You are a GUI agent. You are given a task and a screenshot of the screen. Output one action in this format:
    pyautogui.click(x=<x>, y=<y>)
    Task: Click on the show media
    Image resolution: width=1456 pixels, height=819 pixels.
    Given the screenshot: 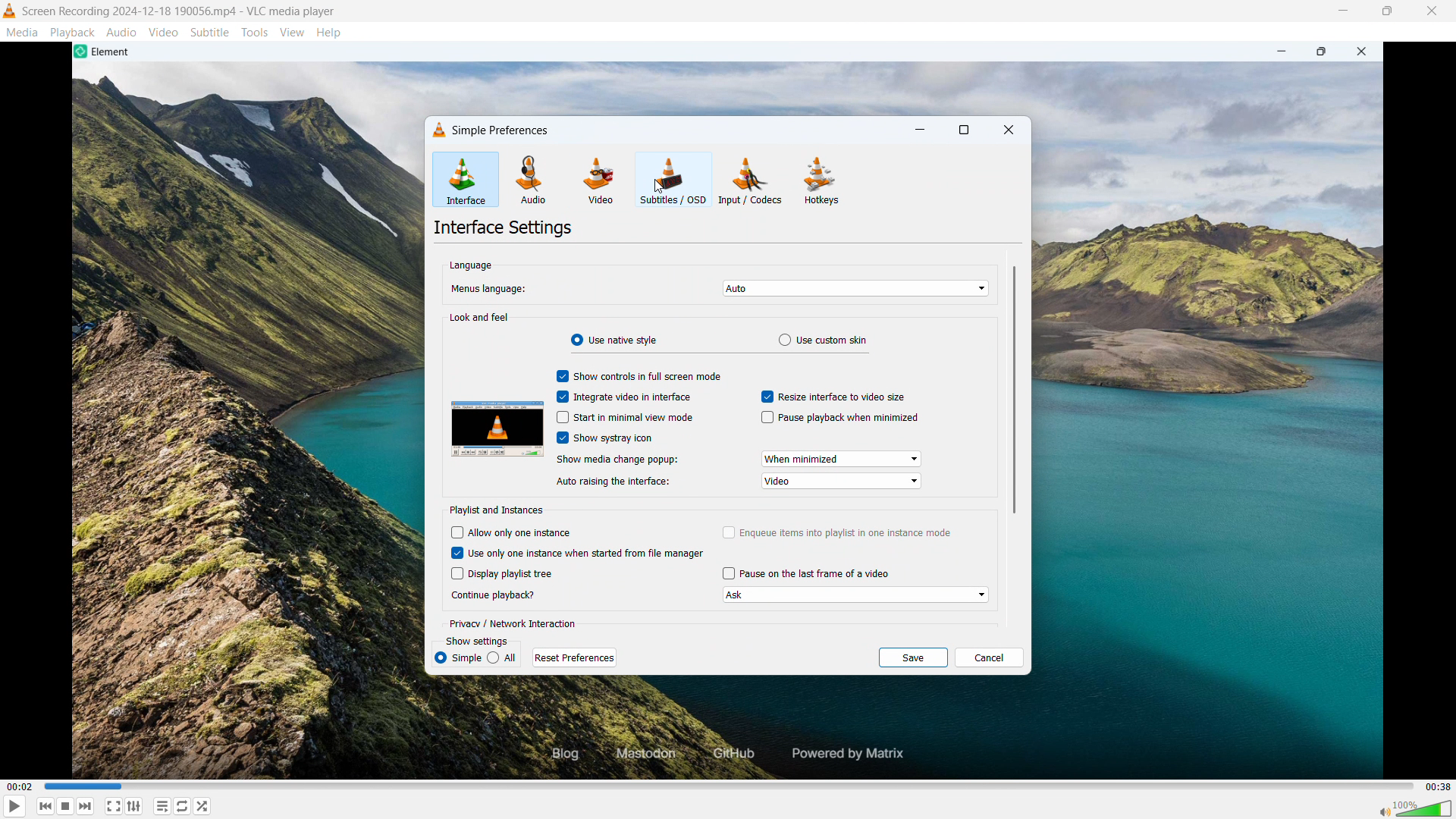 What is the action you would take?
    pyautogui.click(x=621, y=457)
    